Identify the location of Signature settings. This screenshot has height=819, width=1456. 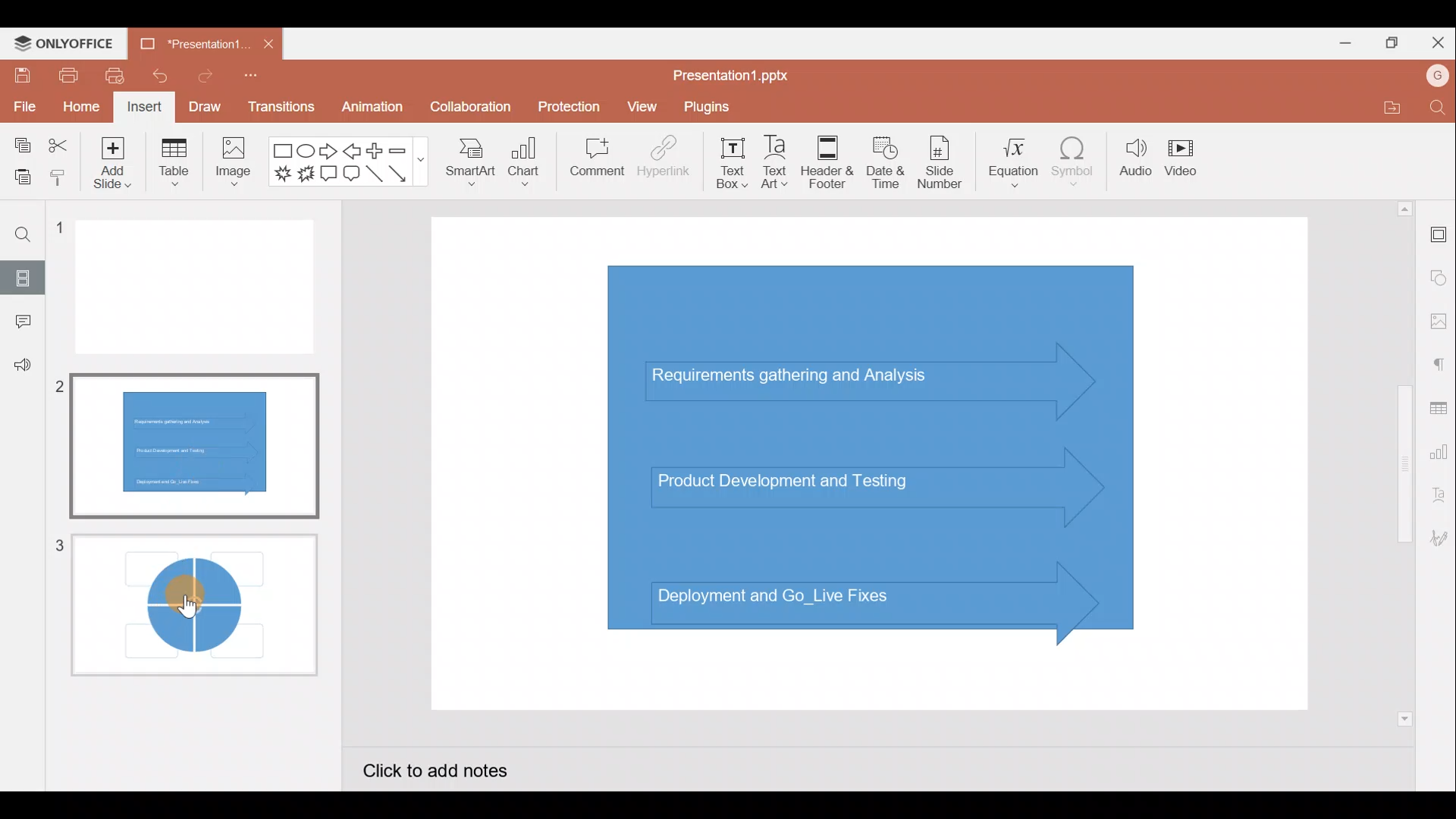
(1436, 538).